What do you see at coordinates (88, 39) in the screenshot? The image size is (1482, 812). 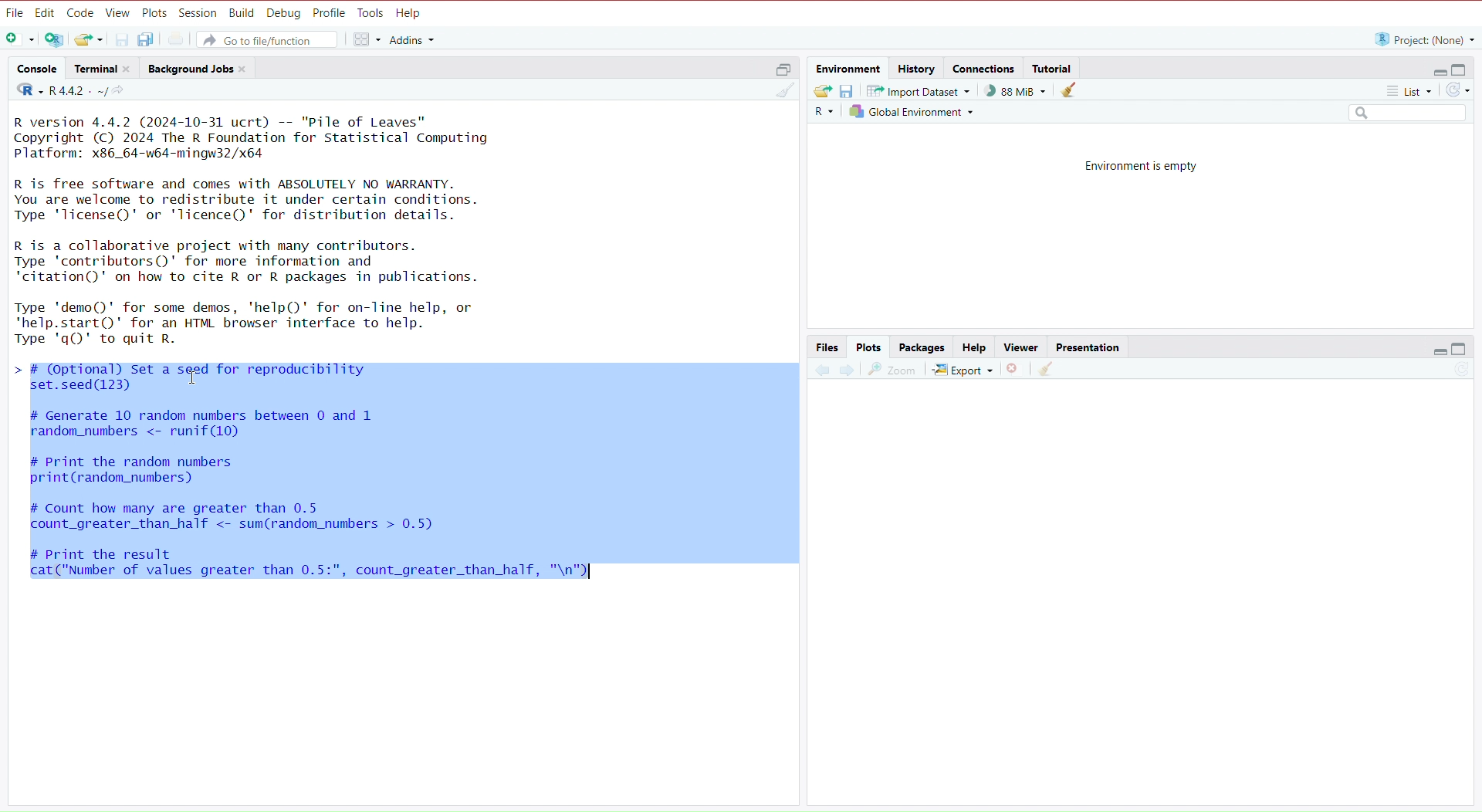 I see `Open existing file` at bounding box center [88, 39].